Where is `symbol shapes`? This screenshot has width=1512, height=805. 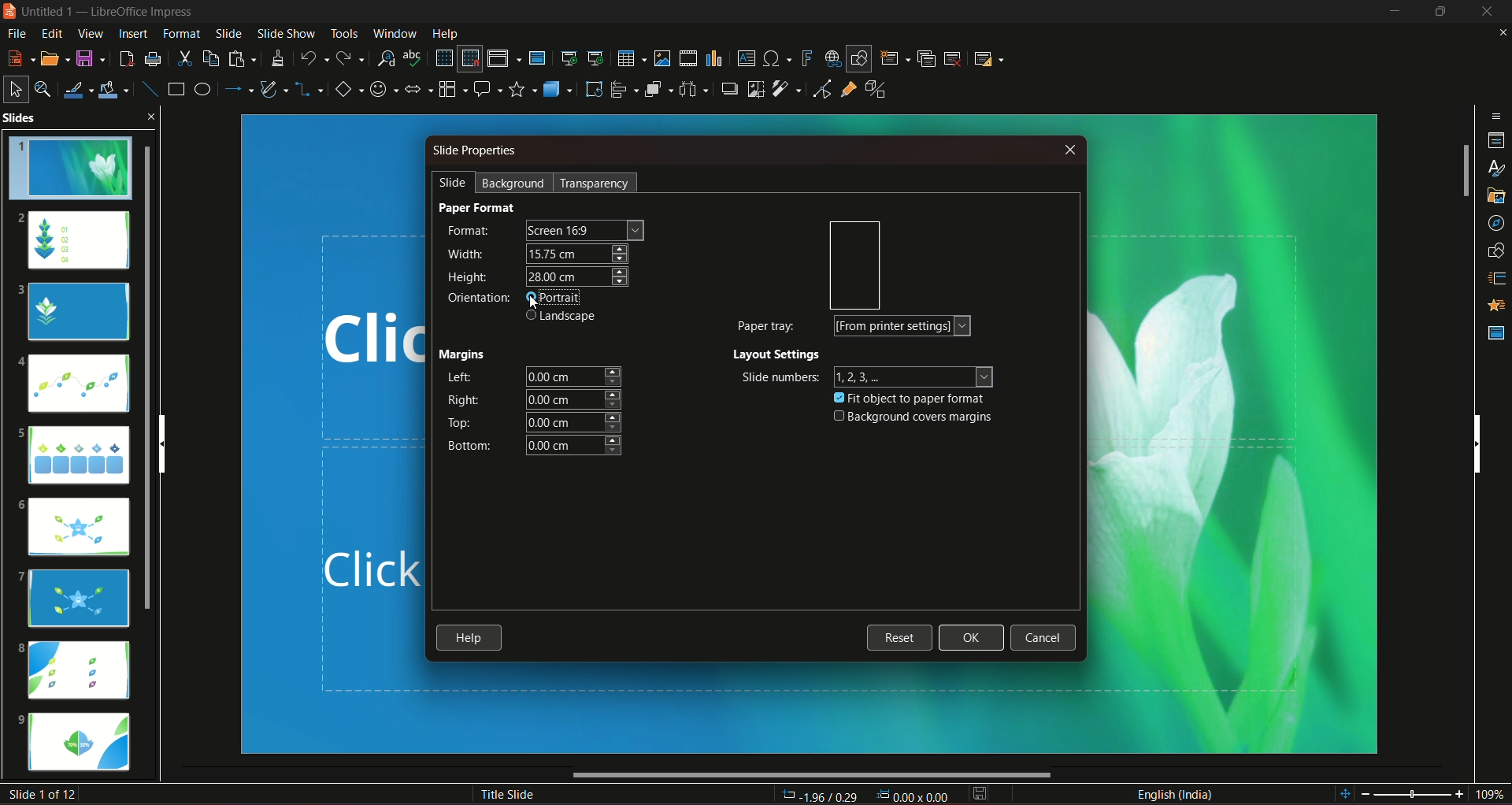 symbol shapes is located at coordinates (384, 89).